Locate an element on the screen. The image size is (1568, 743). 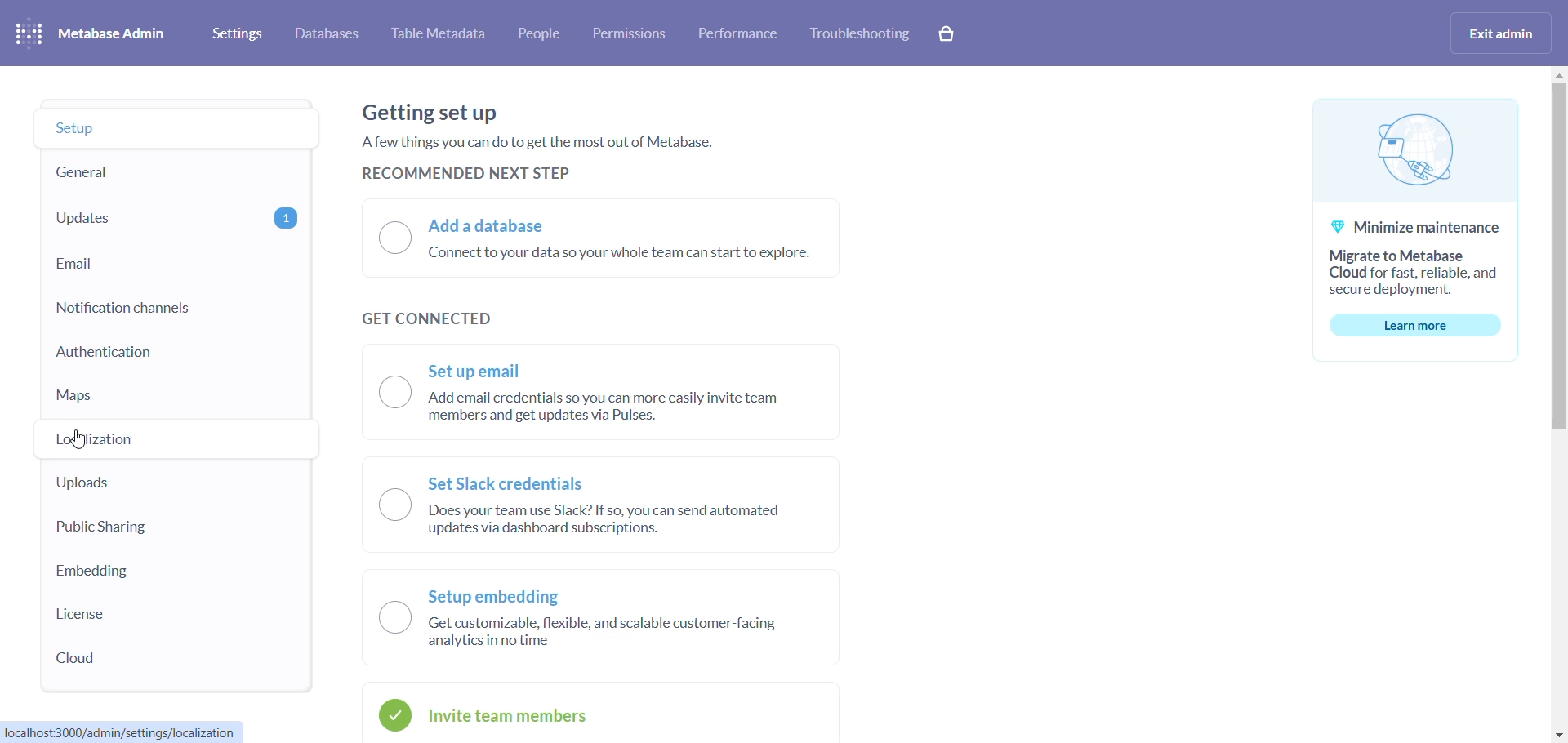
invite team members is located at coordinates (506, 710).